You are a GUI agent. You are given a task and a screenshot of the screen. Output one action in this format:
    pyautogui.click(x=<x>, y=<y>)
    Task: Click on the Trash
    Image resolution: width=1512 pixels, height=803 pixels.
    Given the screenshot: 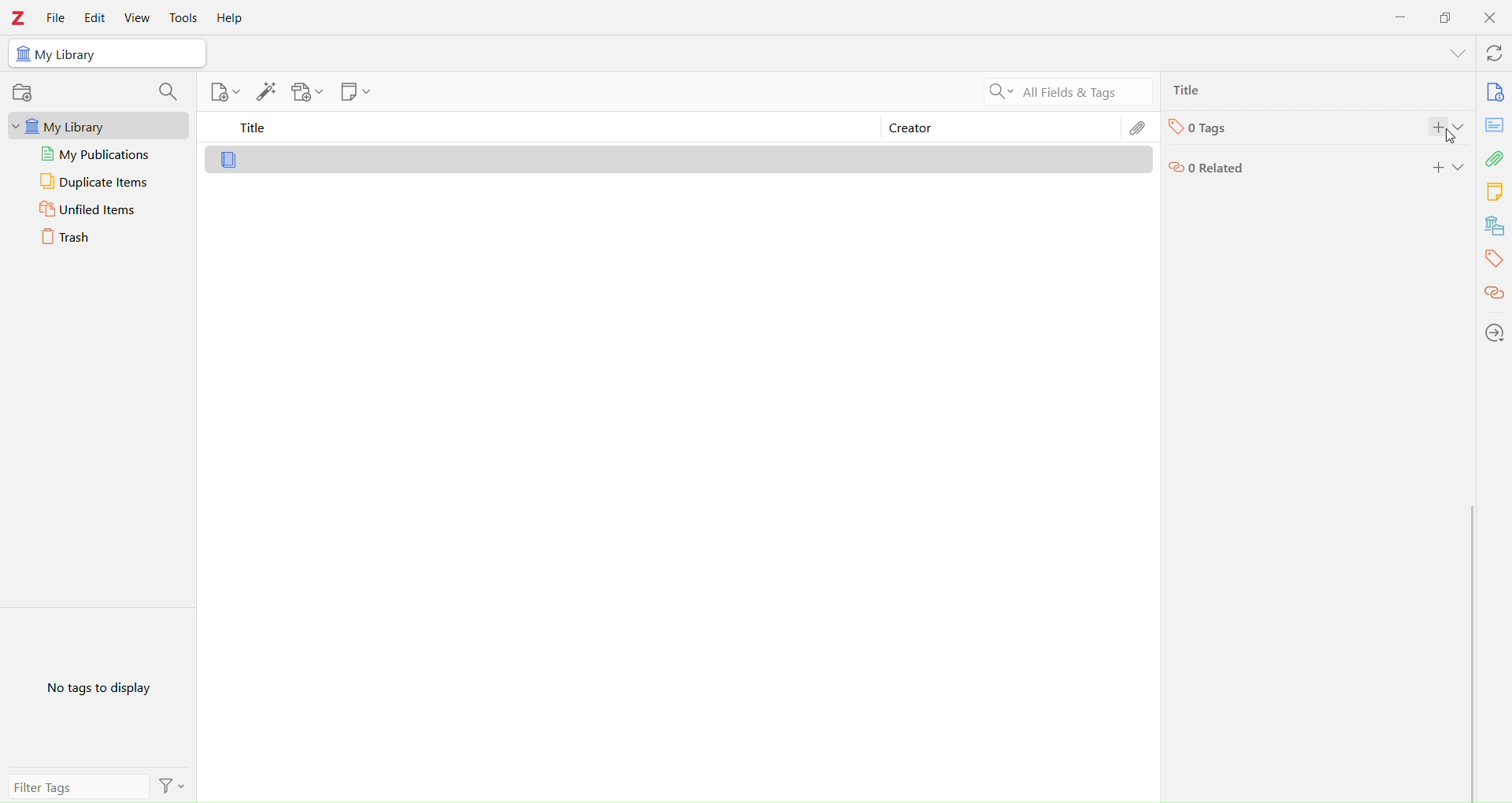 What is the action you would take?
    pyautogui.click(x=65, y=236)
    